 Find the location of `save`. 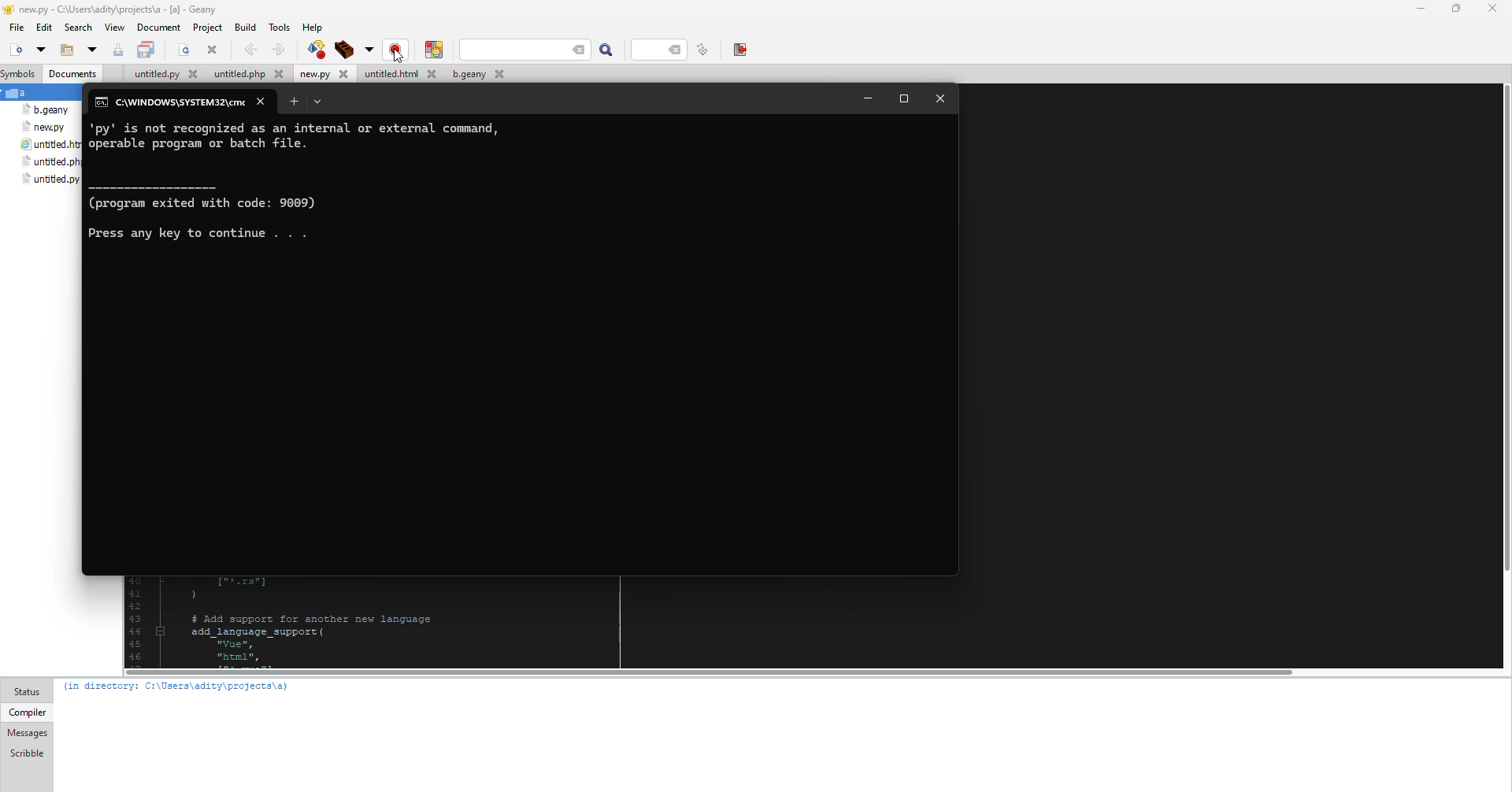

save is located at coordinates (146, 50).